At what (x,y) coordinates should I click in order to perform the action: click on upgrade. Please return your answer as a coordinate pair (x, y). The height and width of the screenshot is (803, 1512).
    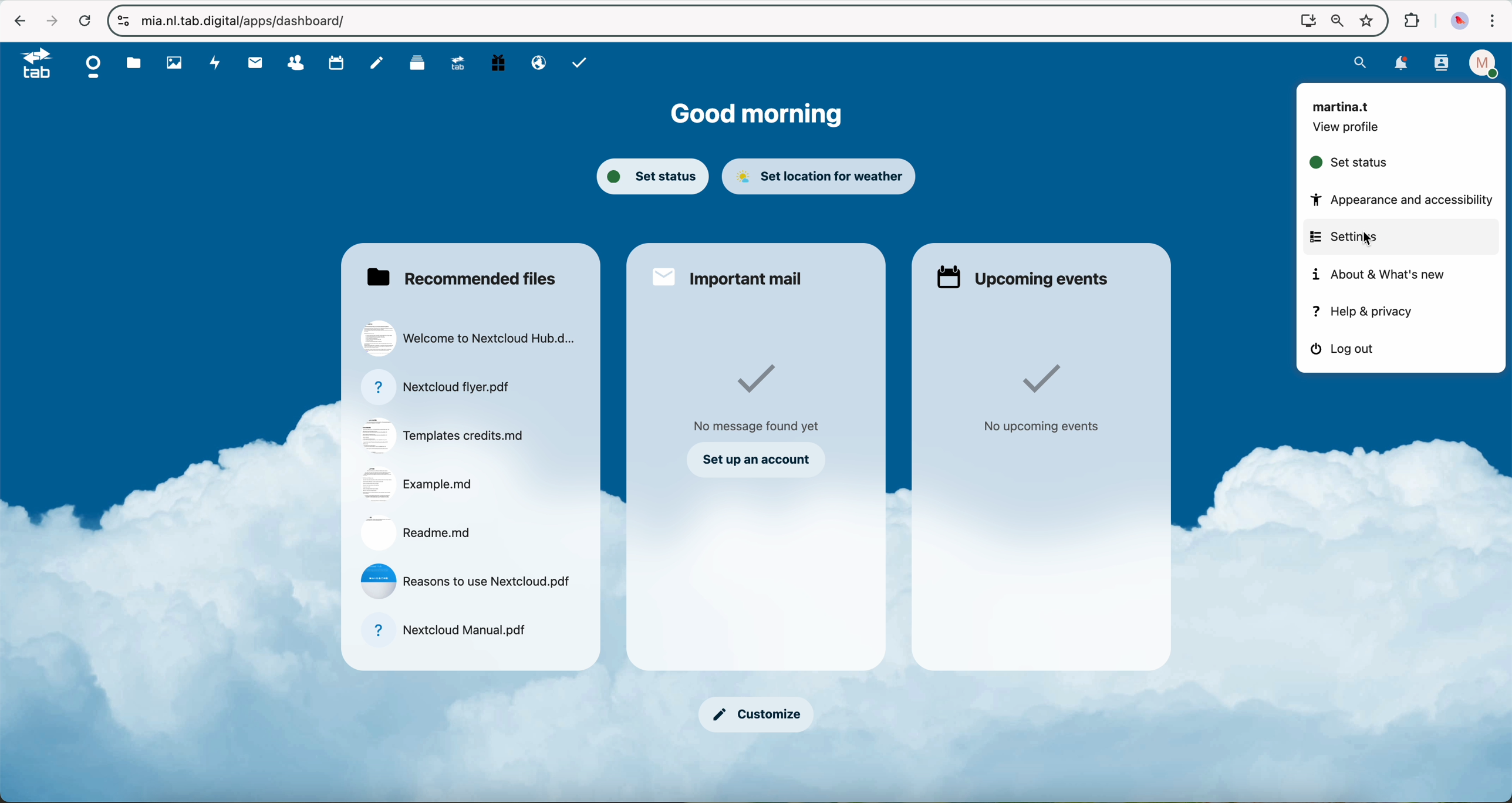
    Looking at the image, I should click on (462, 65).